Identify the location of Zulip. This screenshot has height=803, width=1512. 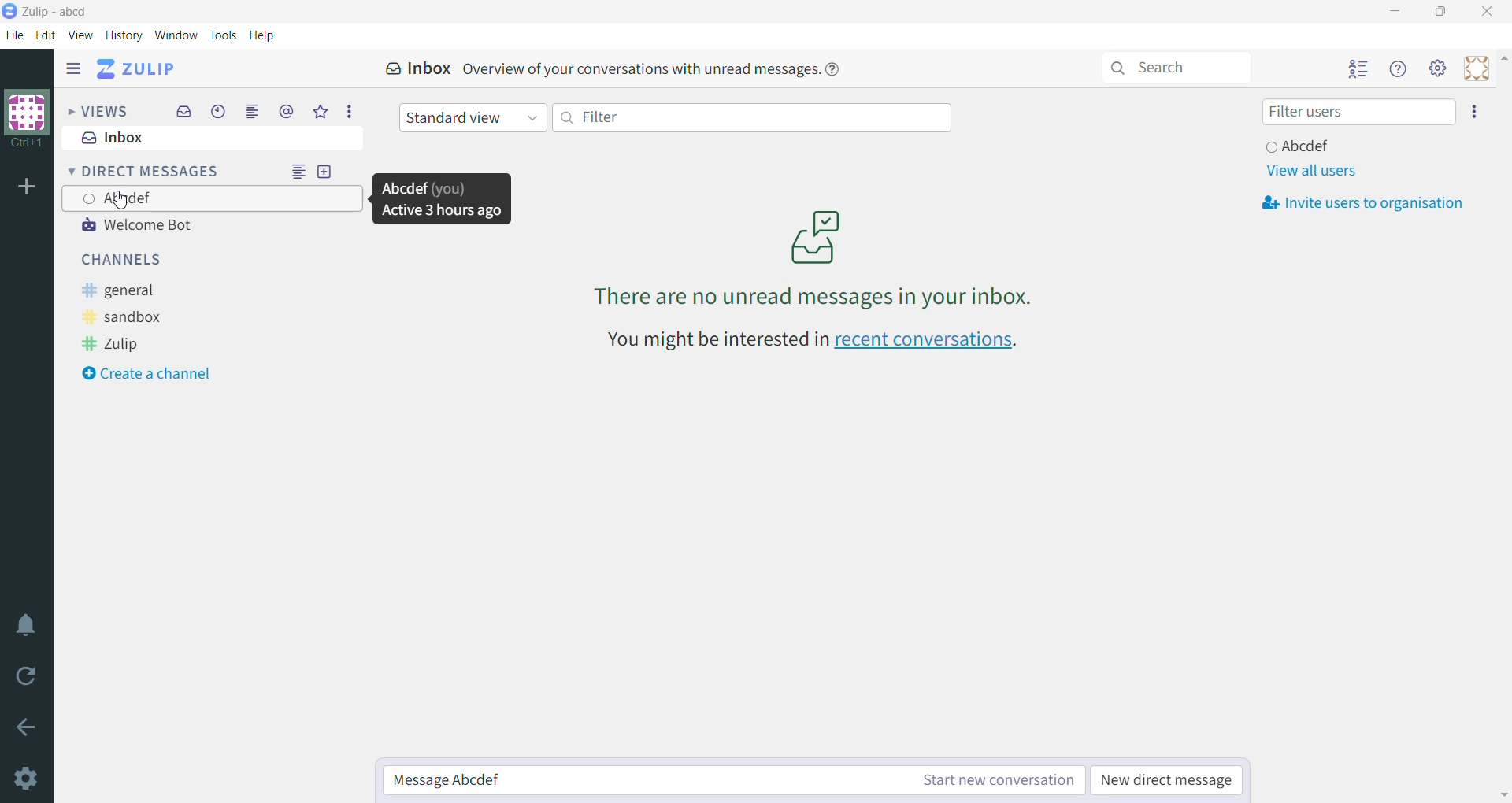
(113, 343).